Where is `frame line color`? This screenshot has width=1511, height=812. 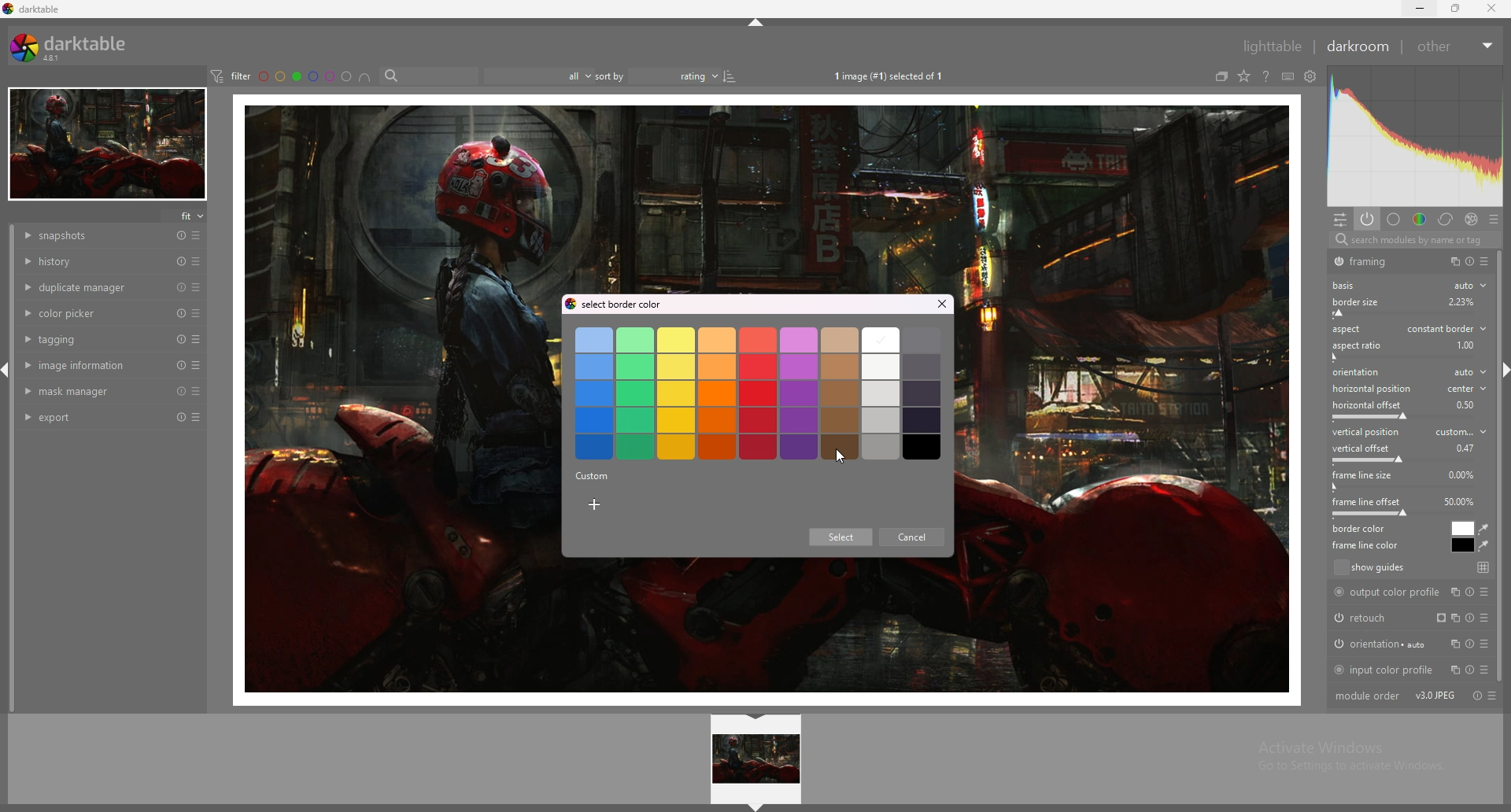 frame line color is located at coordinates (1462, 545).